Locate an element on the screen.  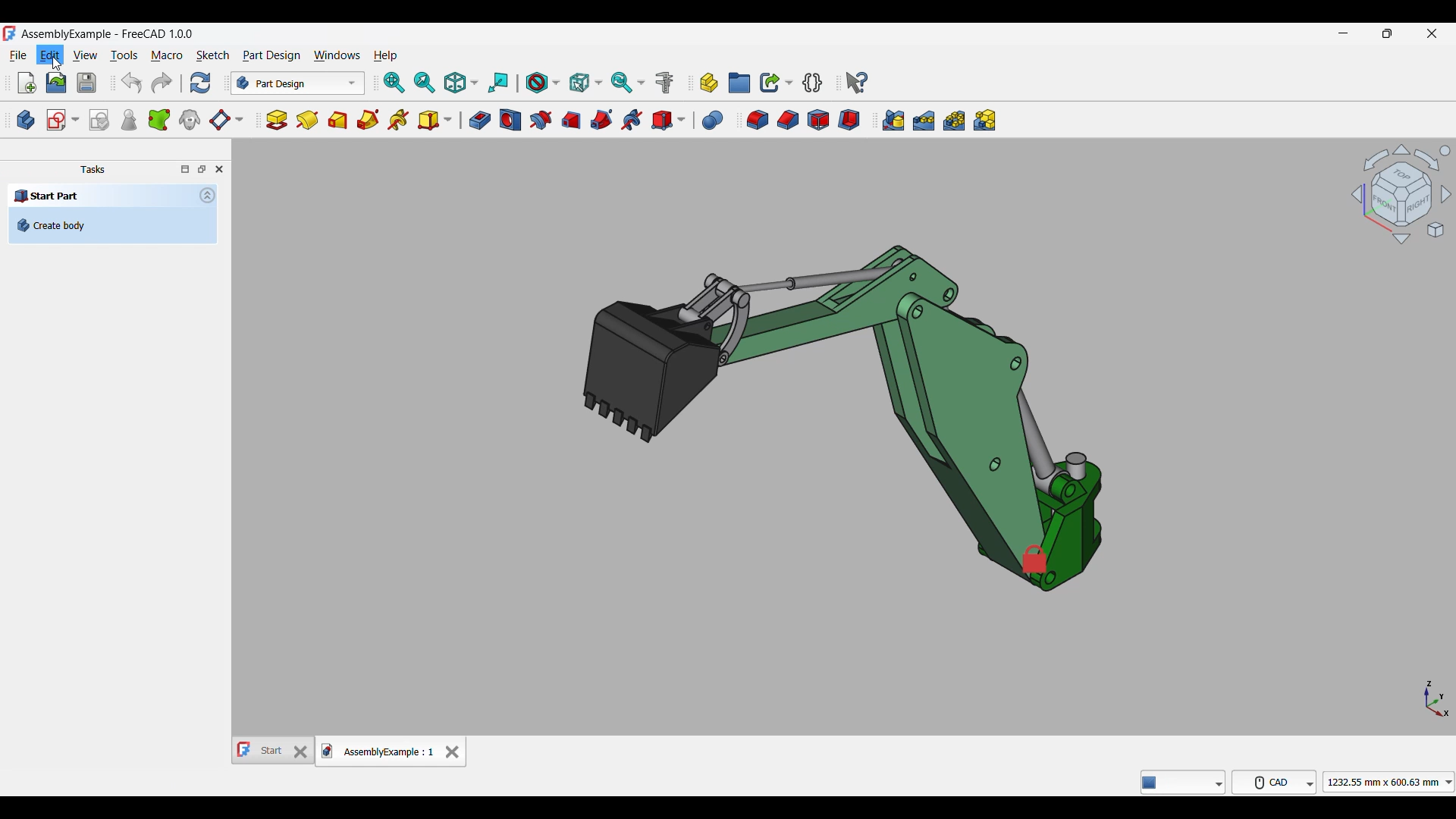
Subtractive loft is located at coordinates (570, 121).